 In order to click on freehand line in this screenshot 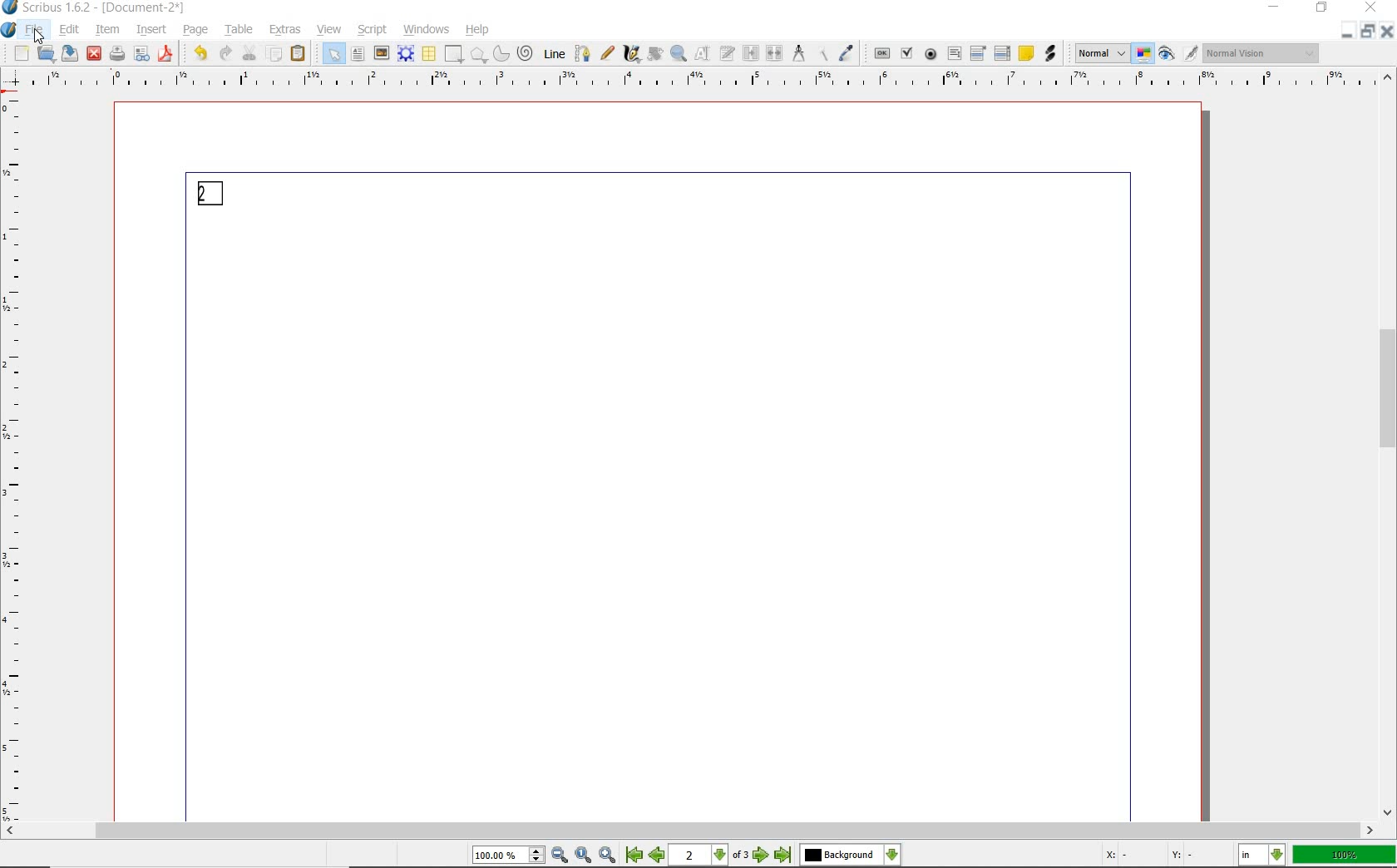, I will do `click(608, 54)`.